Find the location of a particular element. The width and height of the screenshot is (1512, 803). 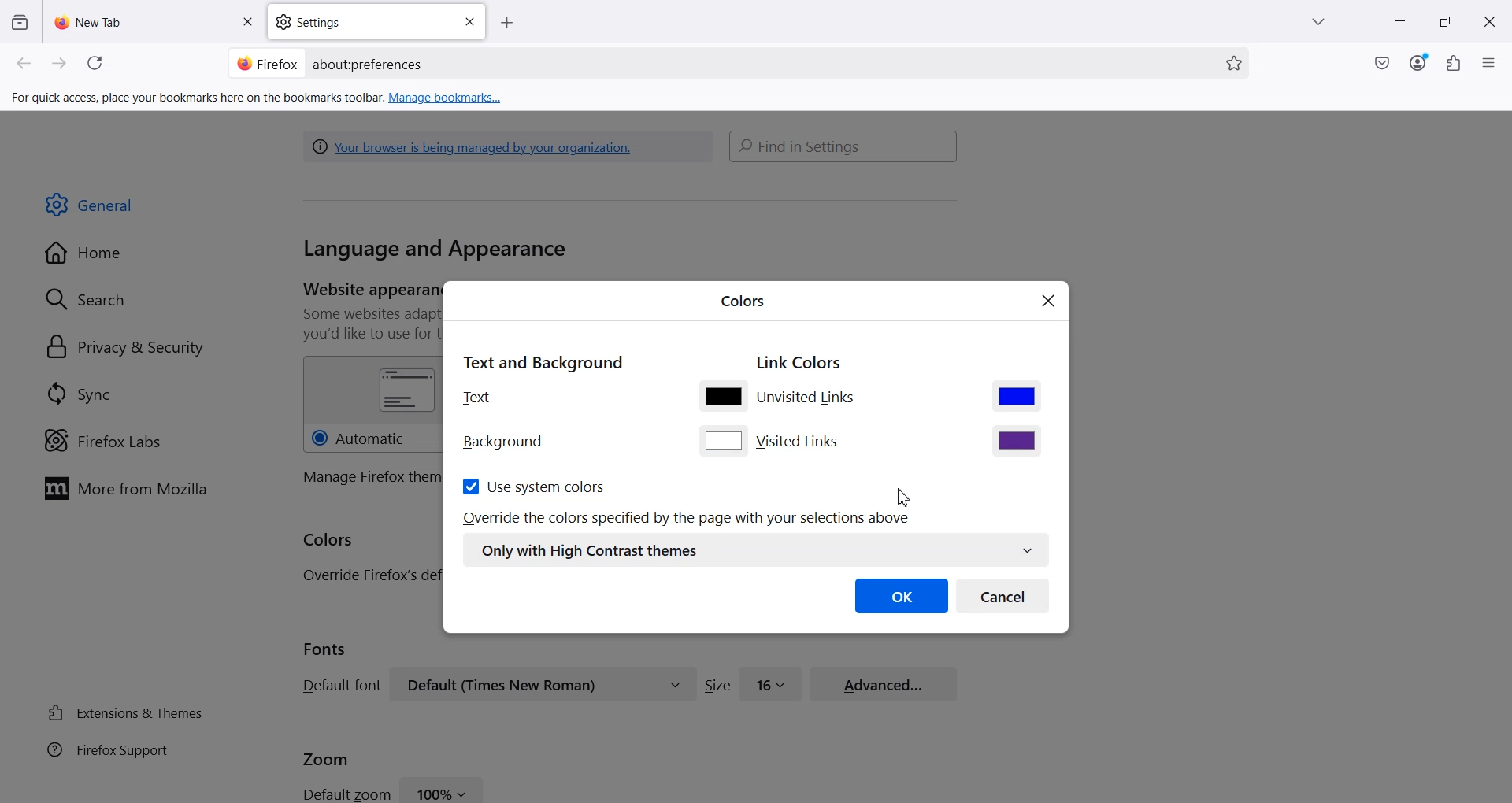

View recent browsing across window is located at coordinates (19, 21).